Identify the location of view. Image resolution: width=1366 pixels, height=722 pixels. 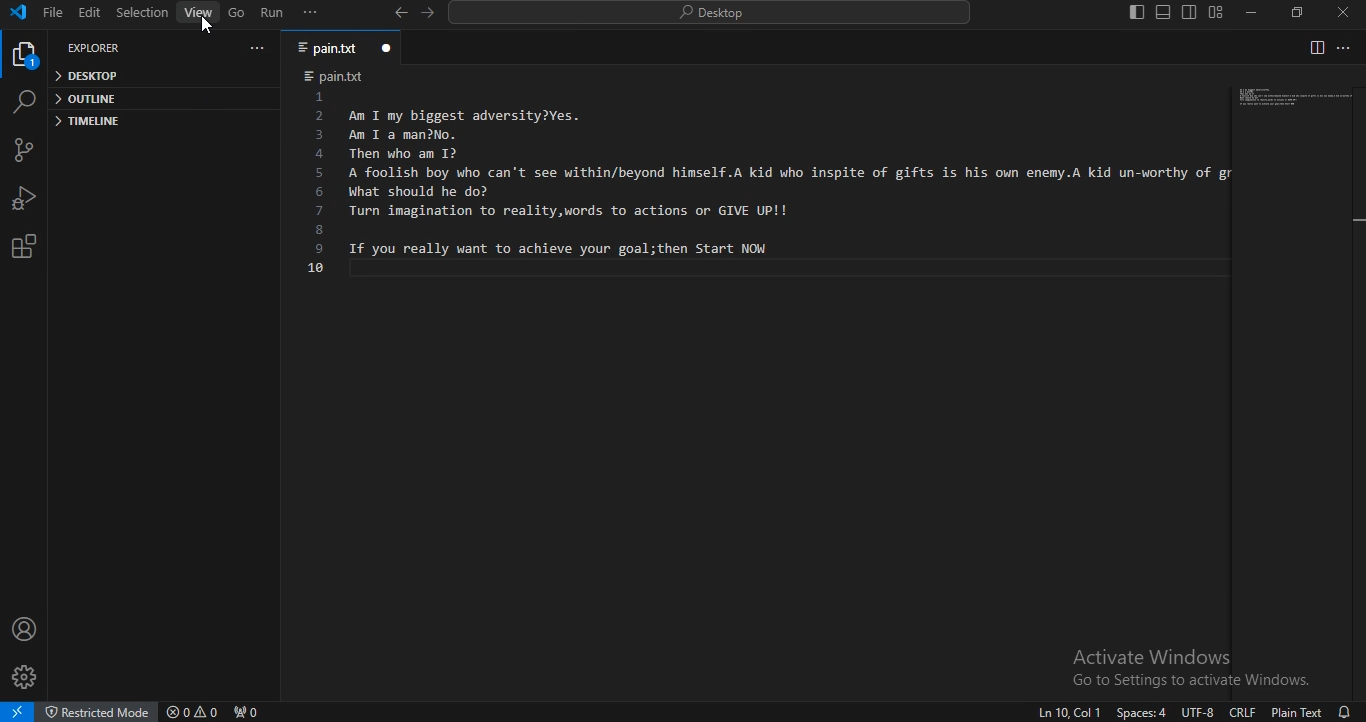
(200, 12).